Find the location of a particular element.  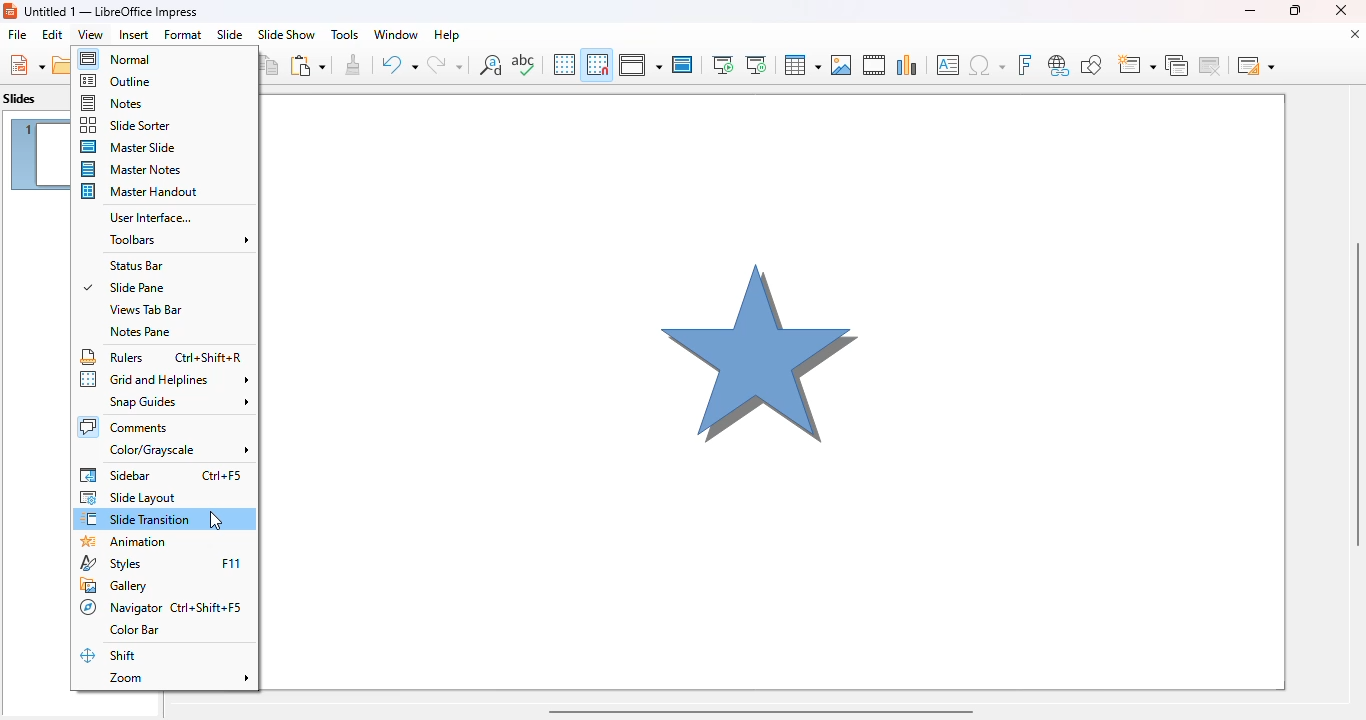

insert hyperlink is located at coordinates (1059, 66).